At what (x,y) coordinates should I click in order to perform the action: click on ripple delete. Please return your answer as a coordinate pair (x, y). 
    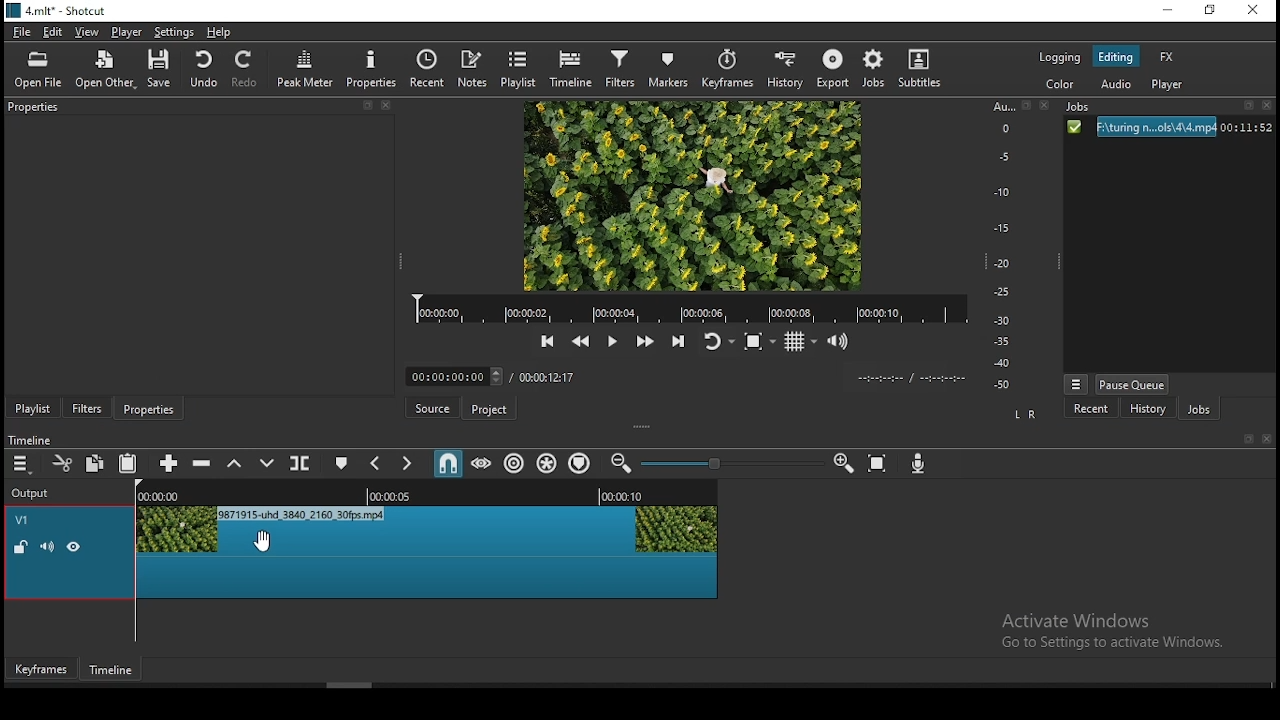
    Looking at the image, I should click on (203, 462).